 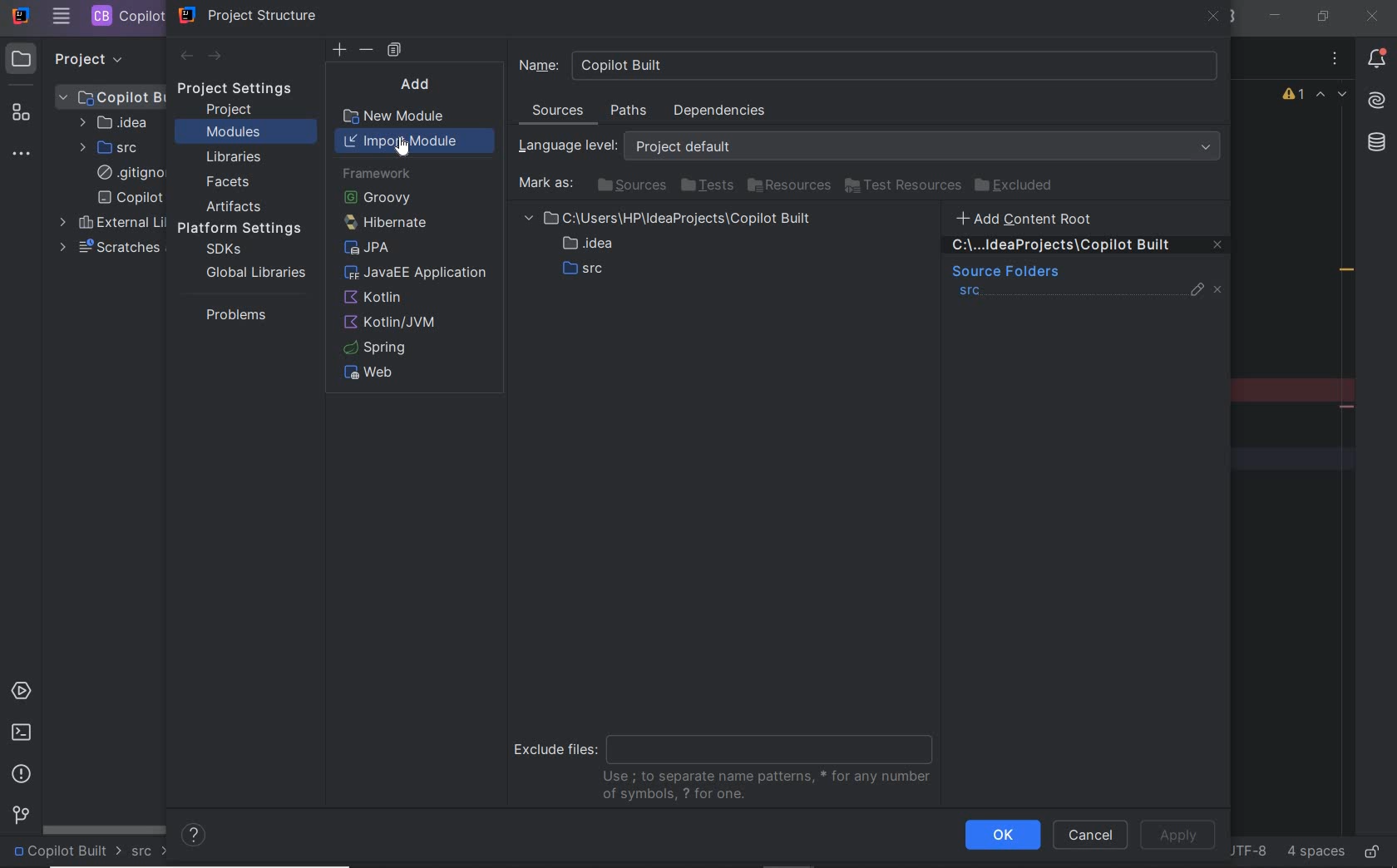 What do you see at coordinates (111, 147) in the screenshot?
I see `SRC` at bounding box center [111, 147].